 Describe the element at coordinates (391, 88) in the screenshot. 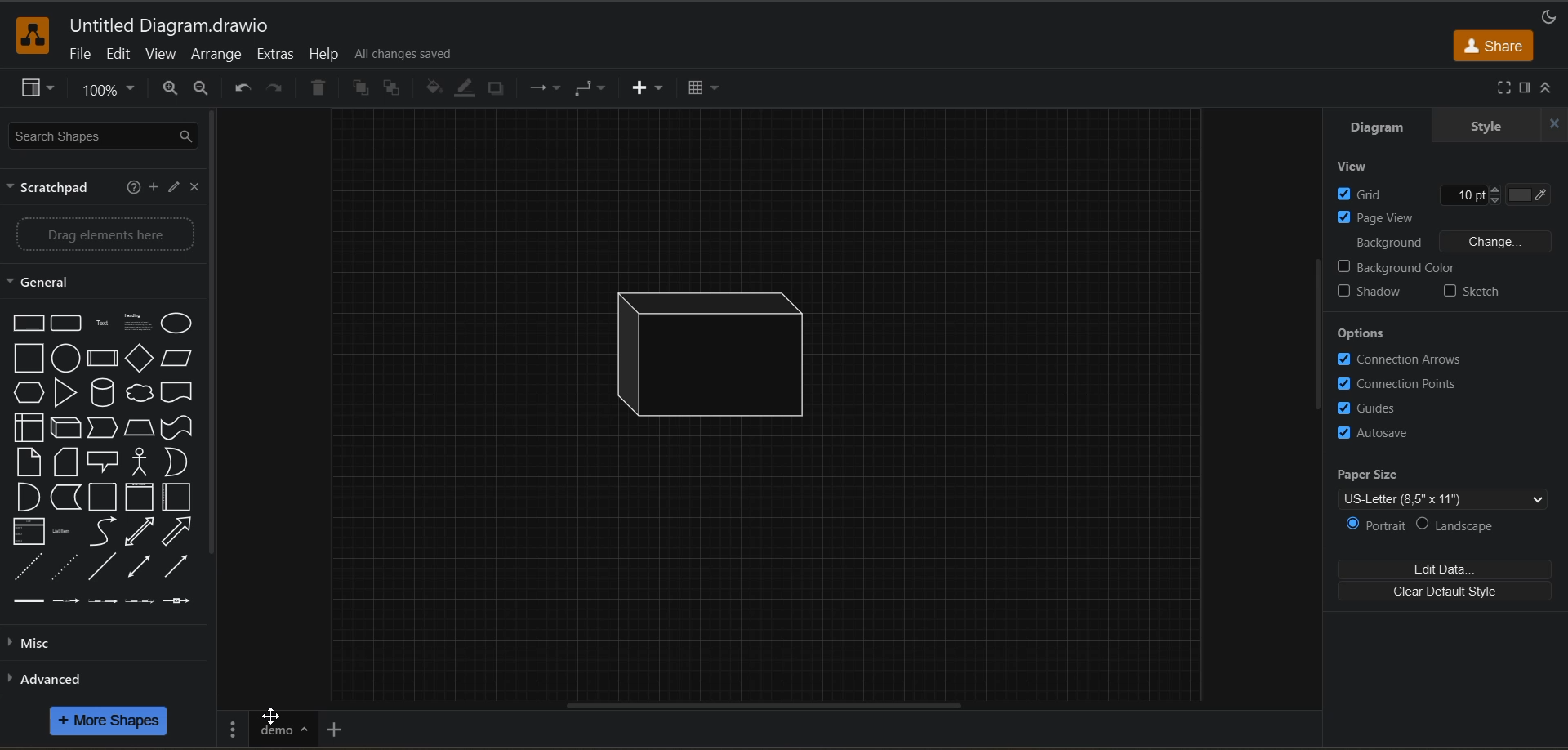

I see `to back` at that location.